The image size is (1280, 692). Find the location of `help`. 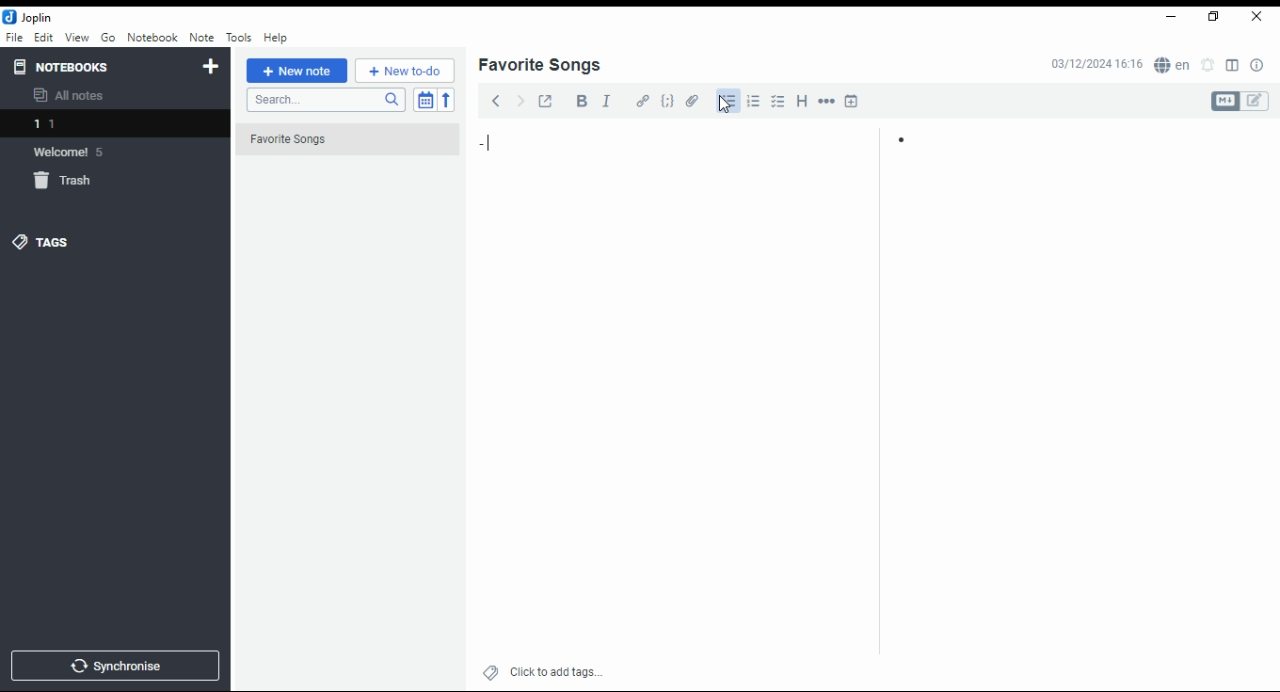

help is located at coordinates (275, 38).